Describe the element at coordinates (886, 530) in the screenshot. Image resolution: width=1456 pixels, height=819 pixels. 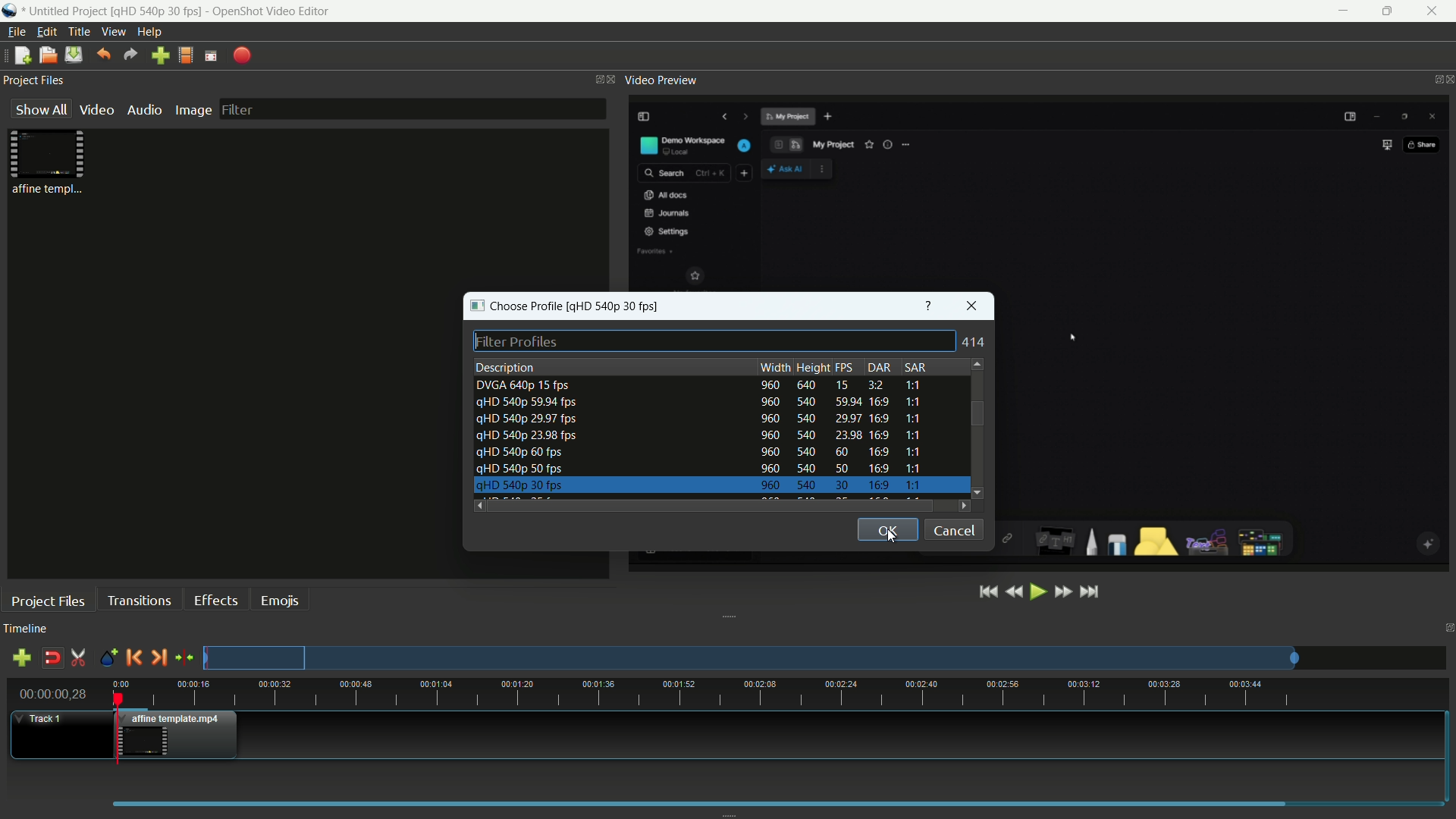
I see `ok` at that location.